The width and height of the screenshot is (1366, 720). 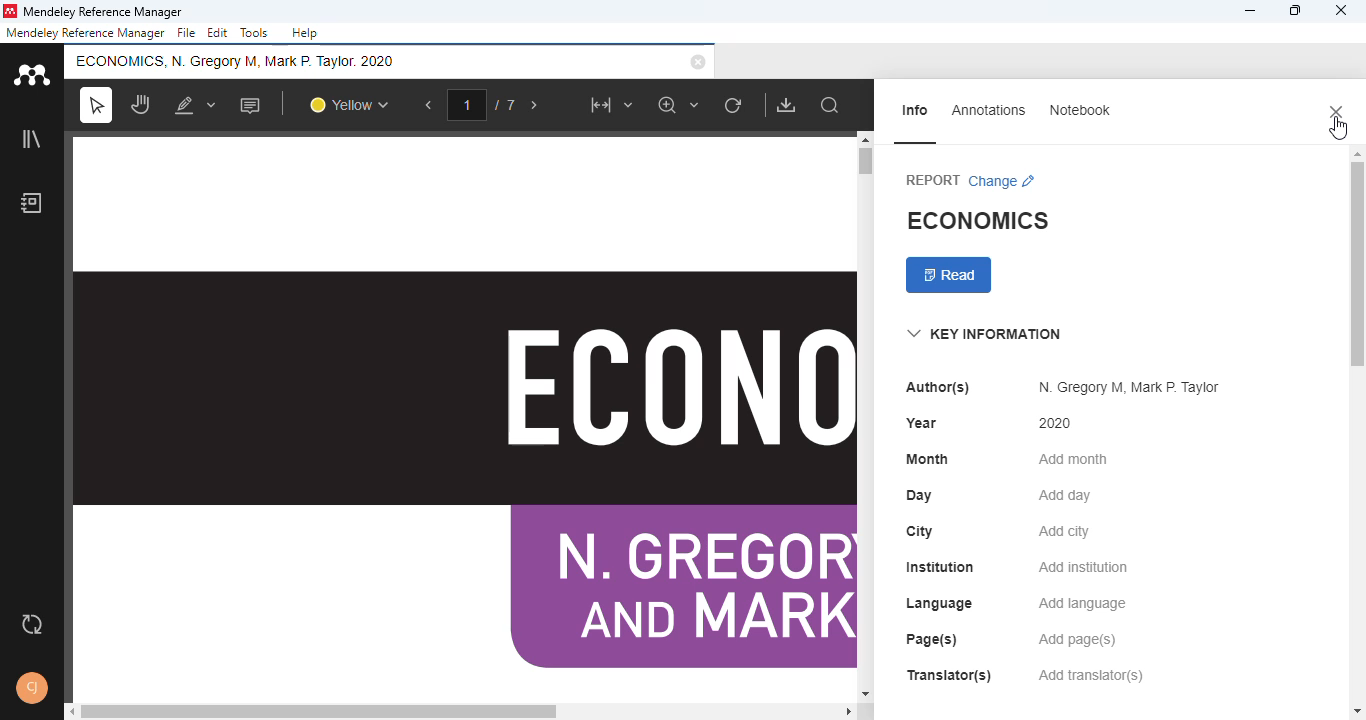 I want to click on scroll page, so click(x=142, y=104).